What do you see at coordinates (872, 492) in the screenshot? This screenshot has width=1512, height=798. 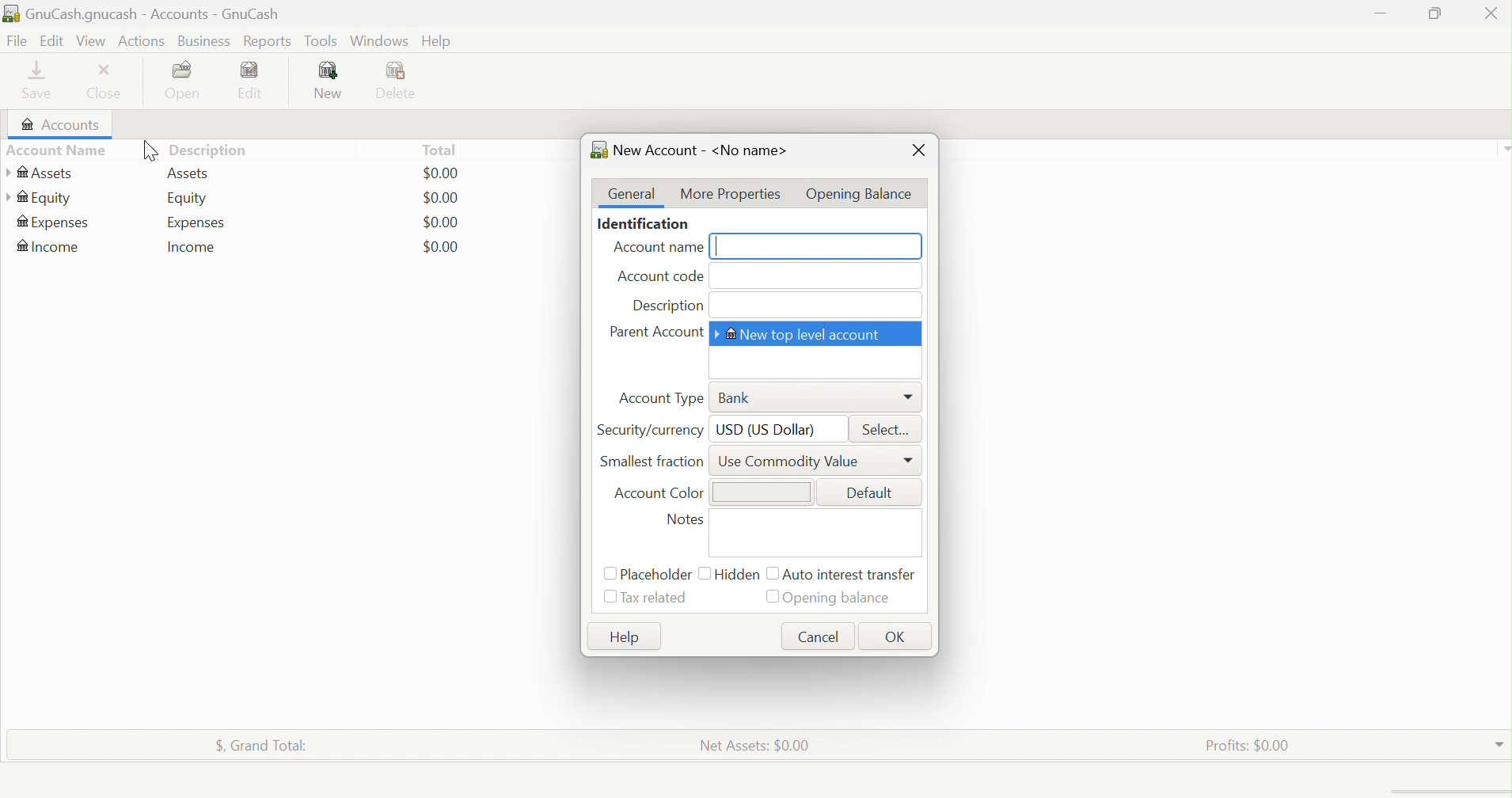 I see `Default` at bounding box center [872, 492].